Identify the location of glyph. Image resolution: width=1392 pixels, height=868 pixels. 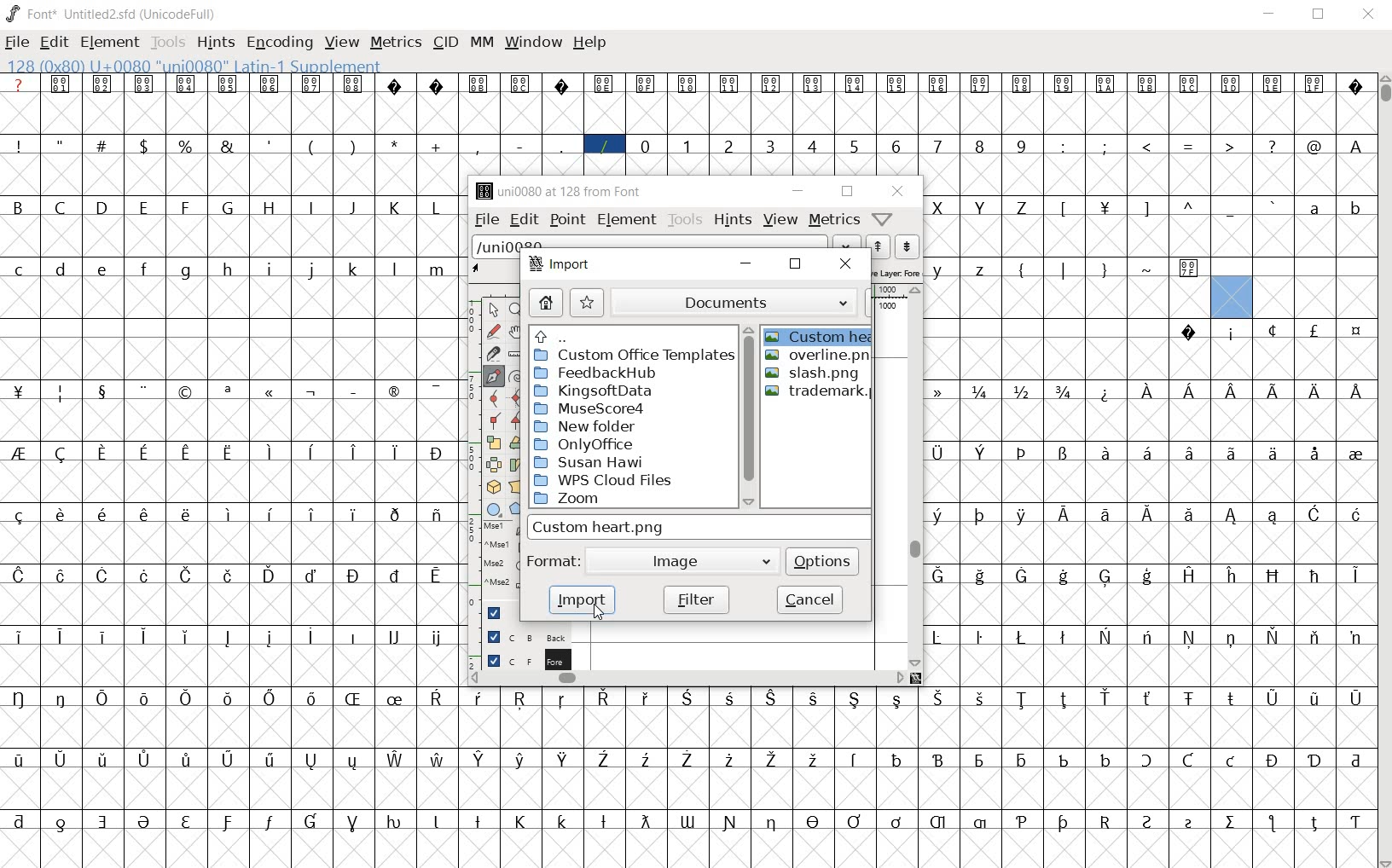
(1189, 760).